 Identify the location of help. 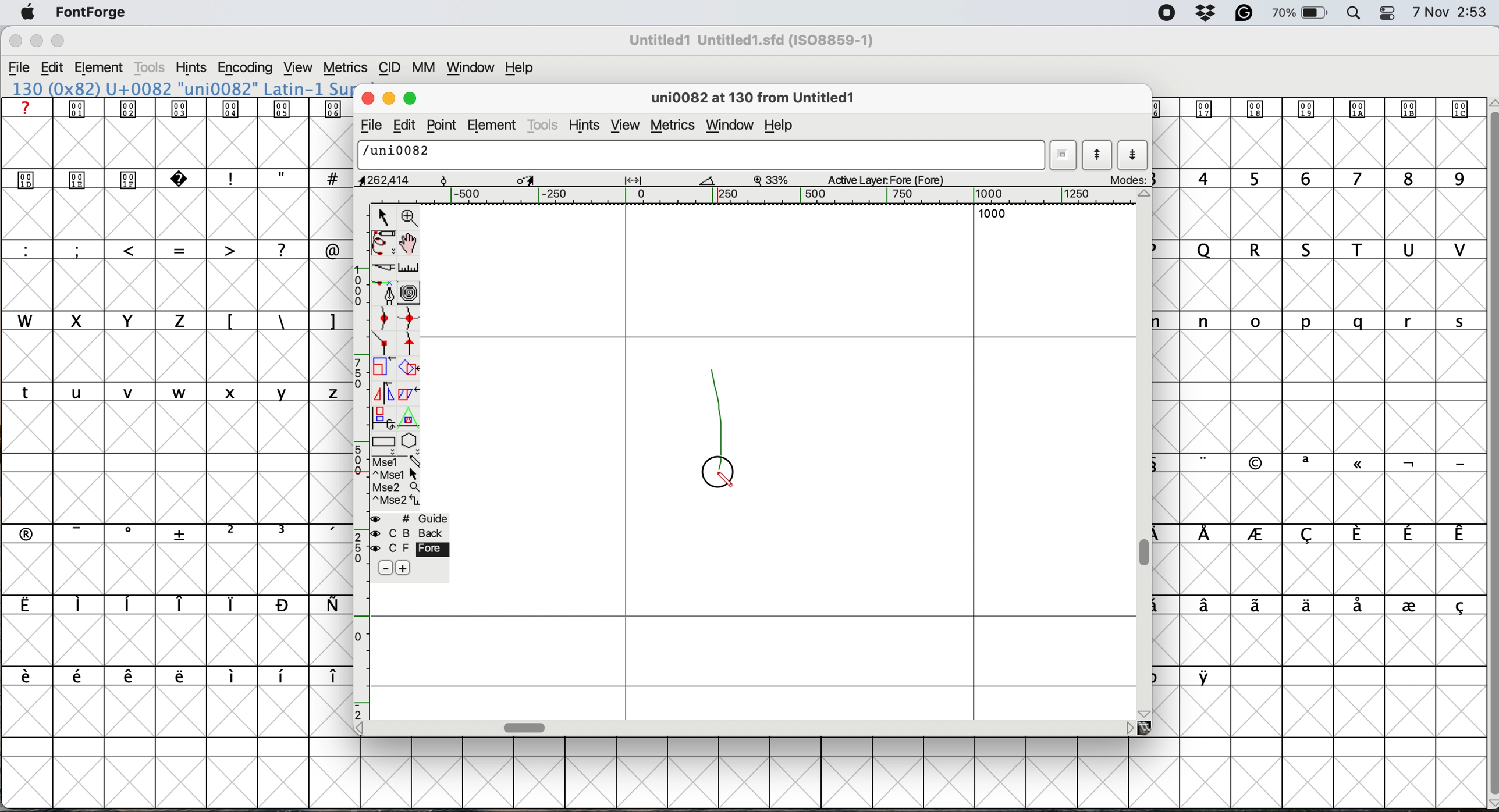
(784, 126).